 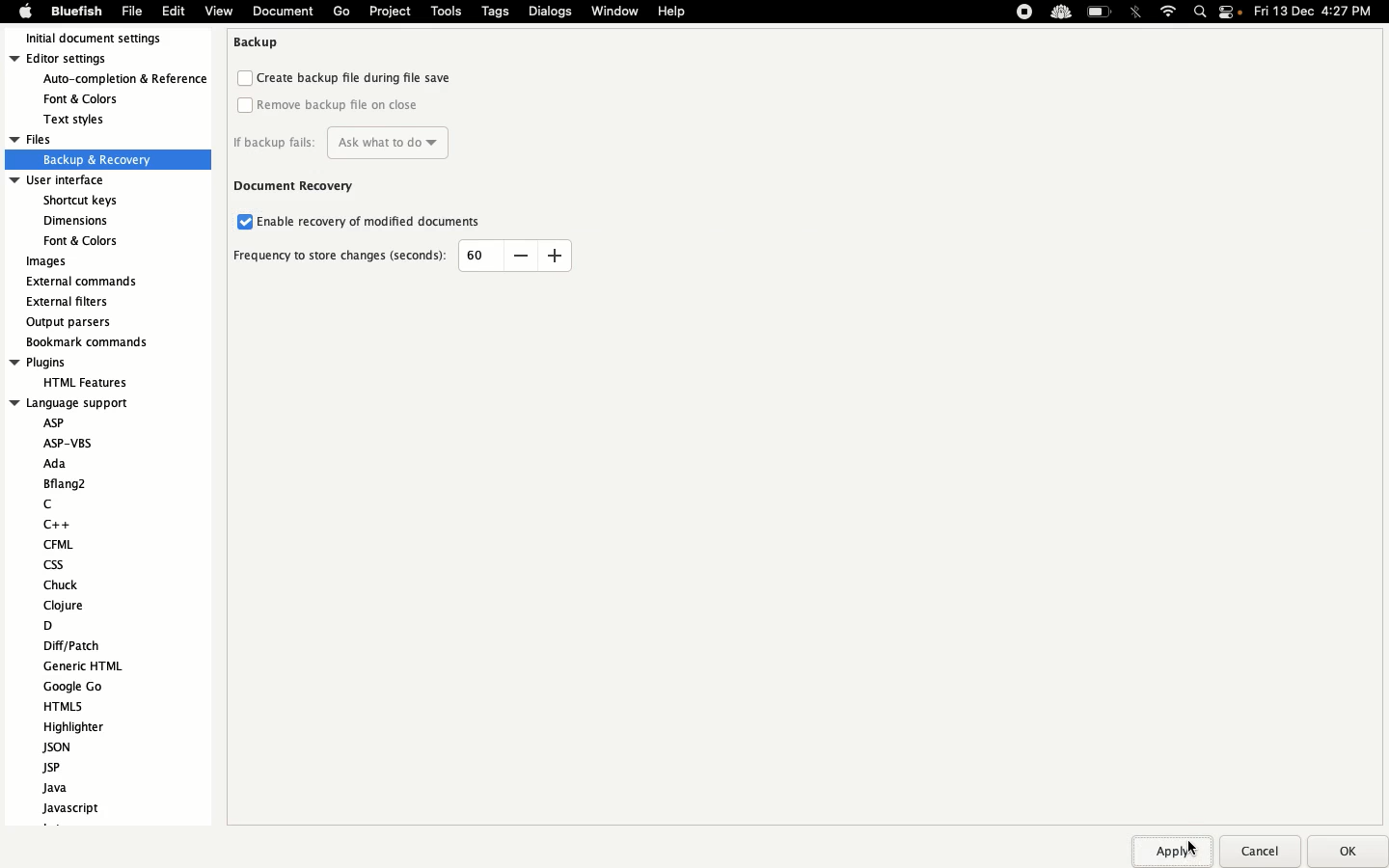 What do you see at coordinates (80, 211) in the screenshot?
I see `User interface` at bounding box center [80, 211].